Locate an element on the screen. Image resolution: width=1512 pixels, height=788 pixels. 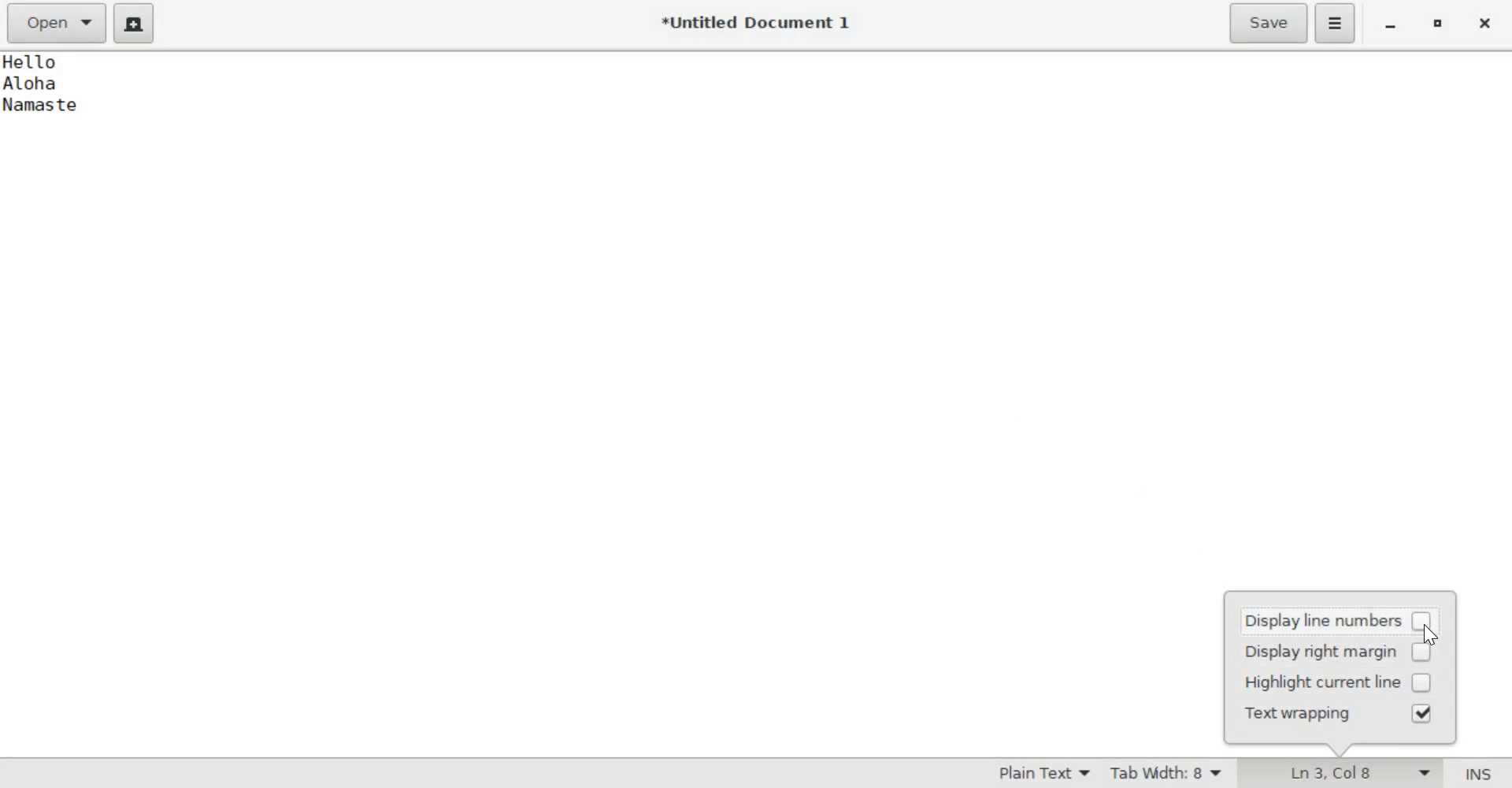
create a new document is located at coordinates (135, 24).